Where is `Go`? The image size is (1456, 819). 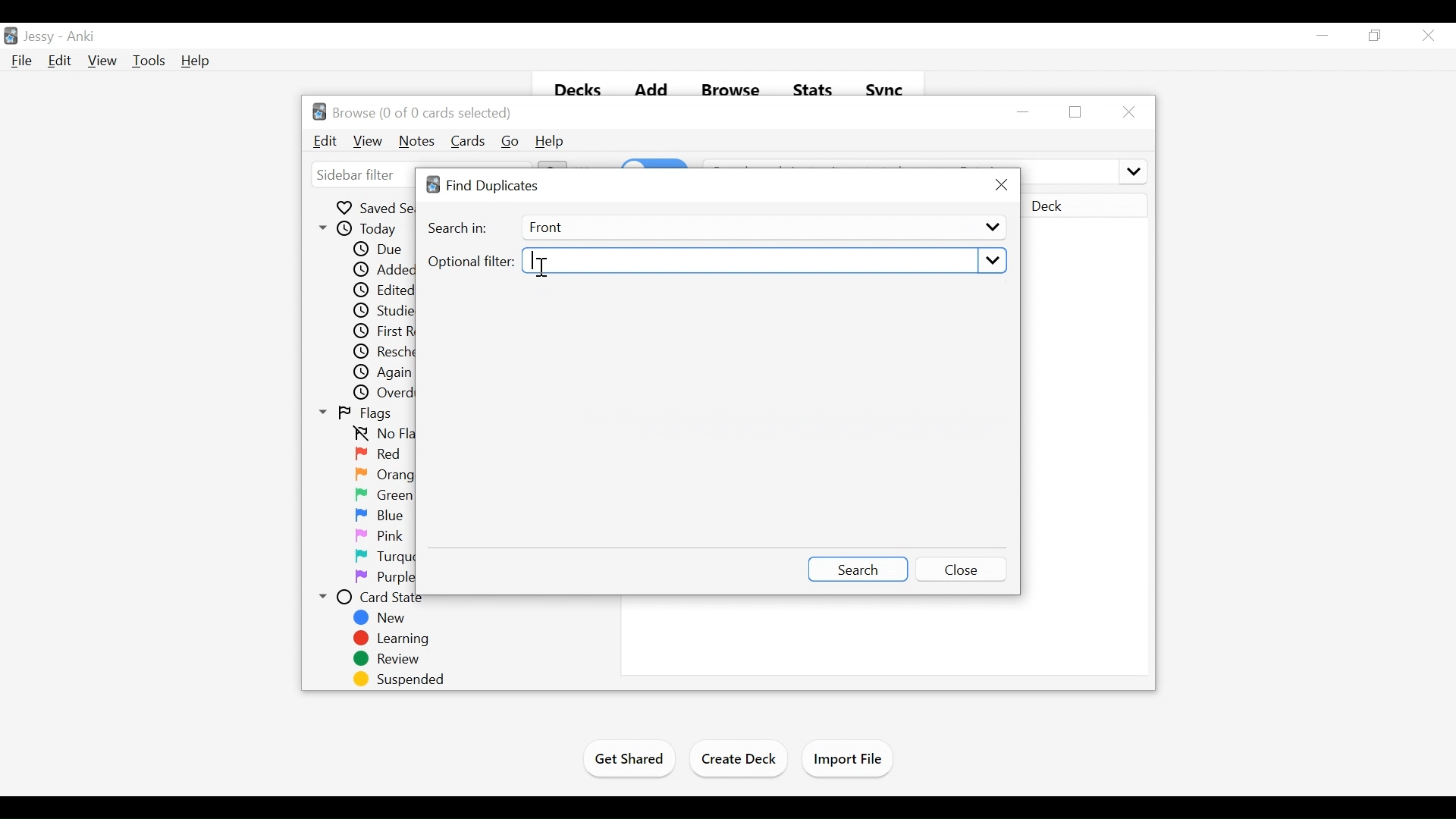 Go is located at coordinates (510, 142).